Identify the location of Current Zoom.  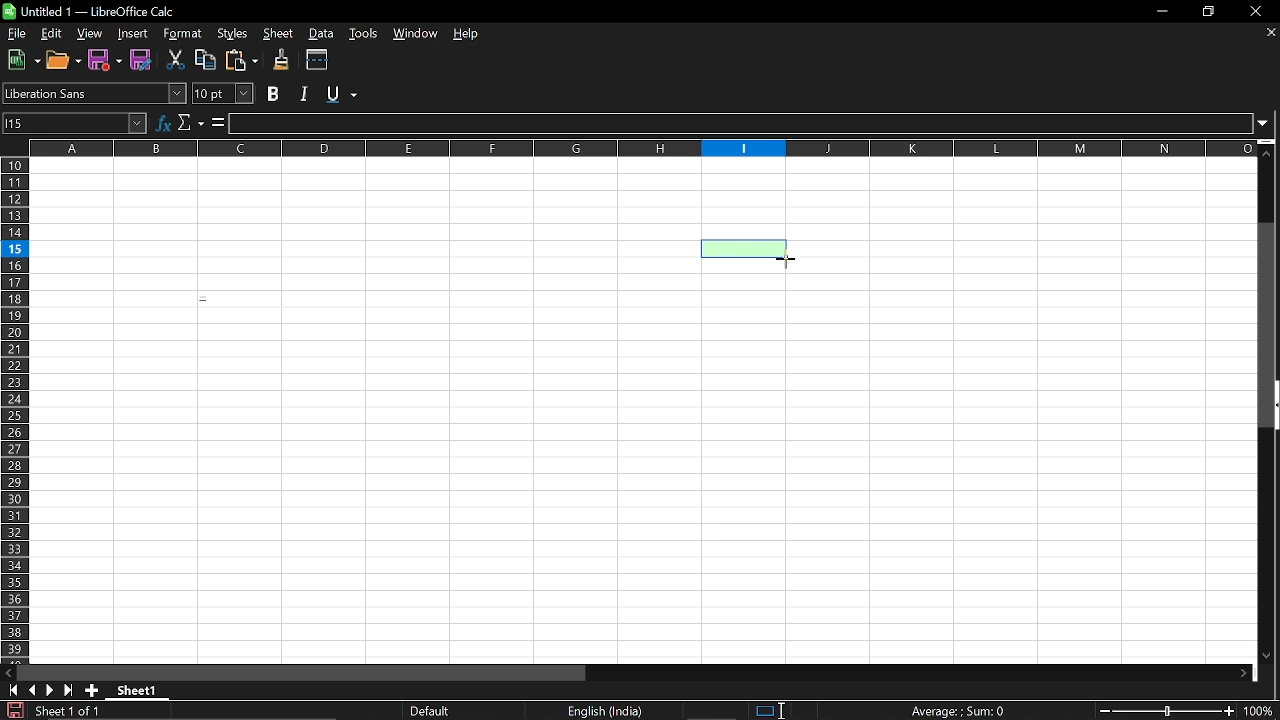
(1262, 712).